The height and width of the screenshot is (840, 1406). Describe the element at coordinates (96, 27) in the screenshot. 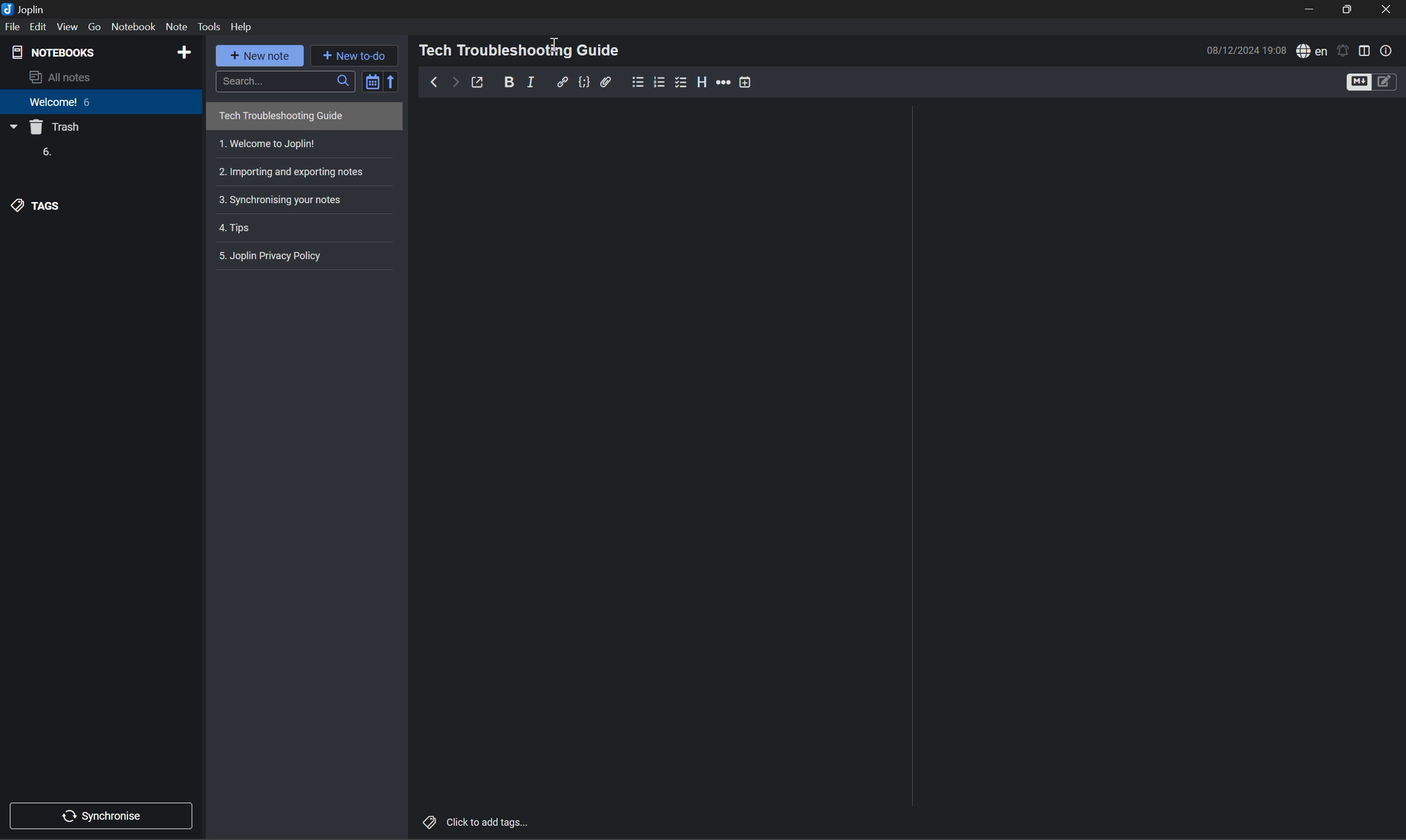

I see `Go` at that location.